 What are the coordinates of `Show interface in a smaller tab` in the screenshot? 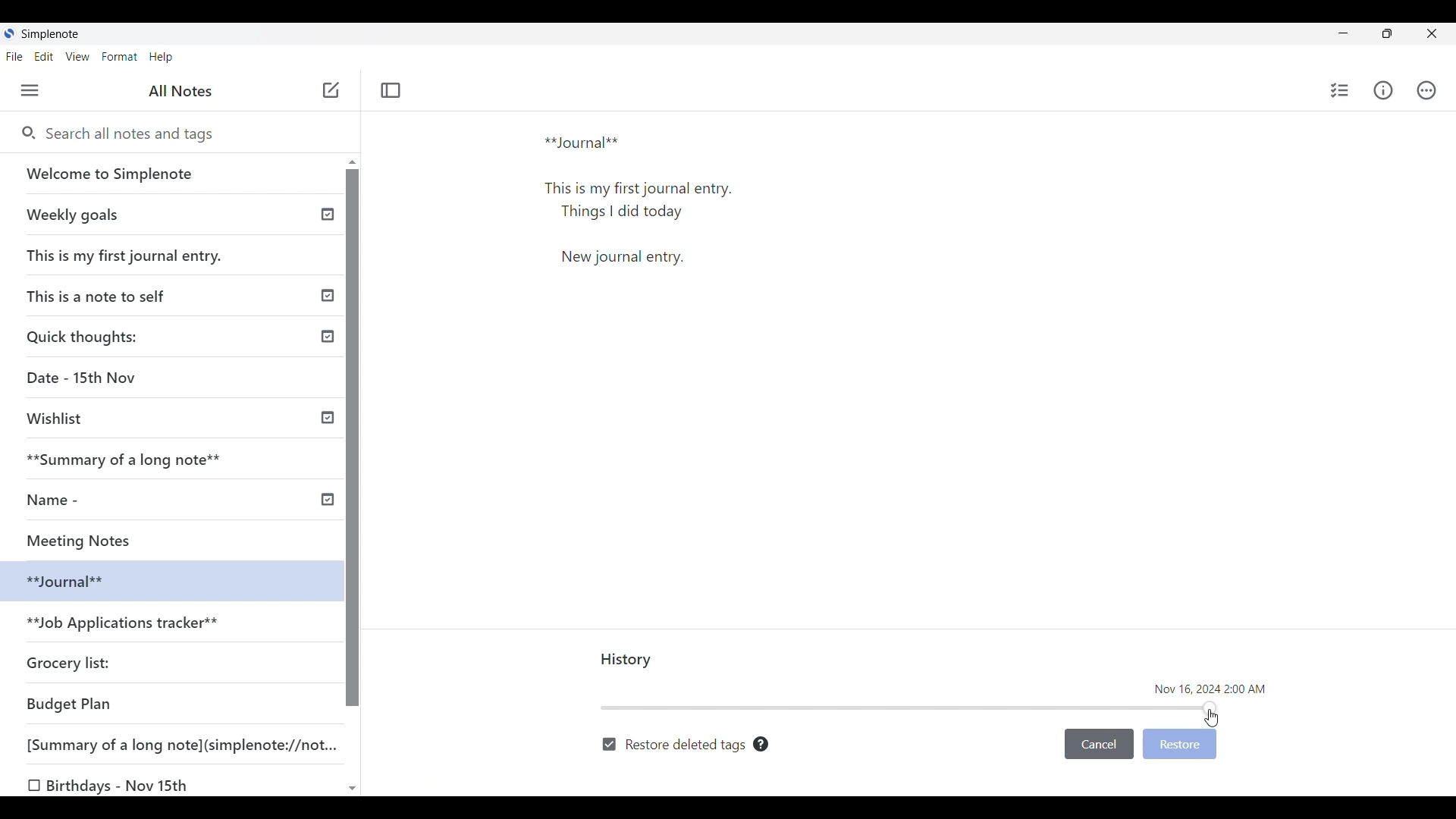 It's located at (1387, 33).